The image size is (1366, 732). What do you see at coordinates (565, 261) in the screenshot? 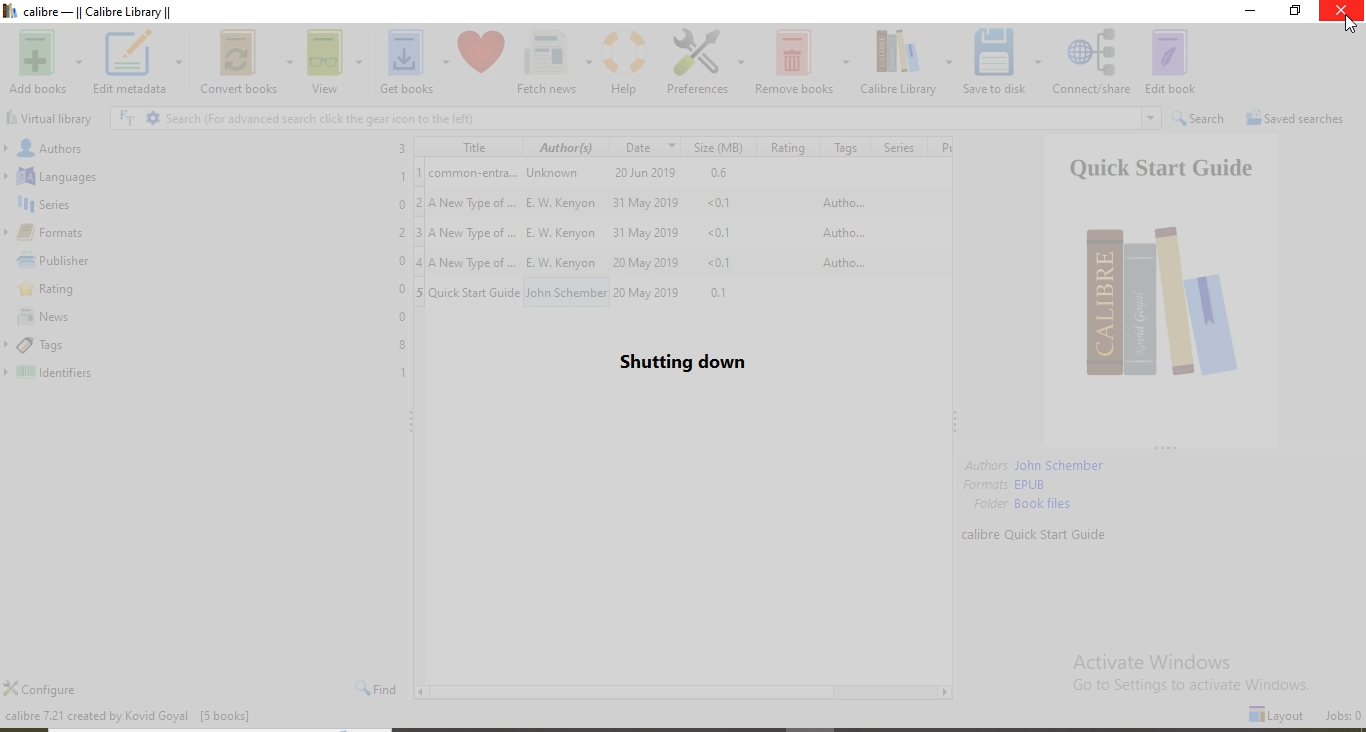
I see `E W Kenyon` at bounding box center [565, 261].